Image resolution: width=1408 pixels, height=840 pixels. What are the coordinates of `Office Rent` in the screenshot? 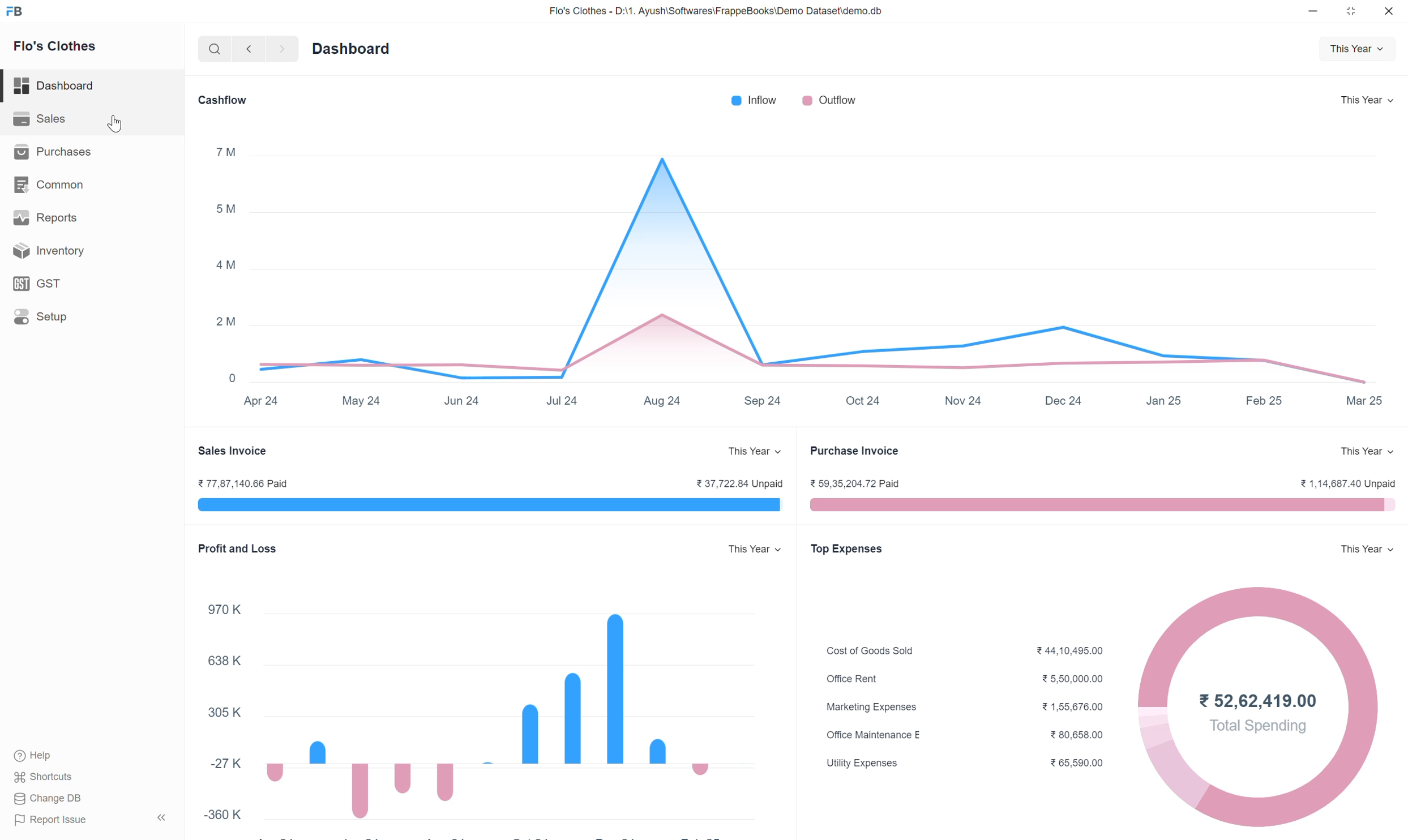 It's located at (855, 679).